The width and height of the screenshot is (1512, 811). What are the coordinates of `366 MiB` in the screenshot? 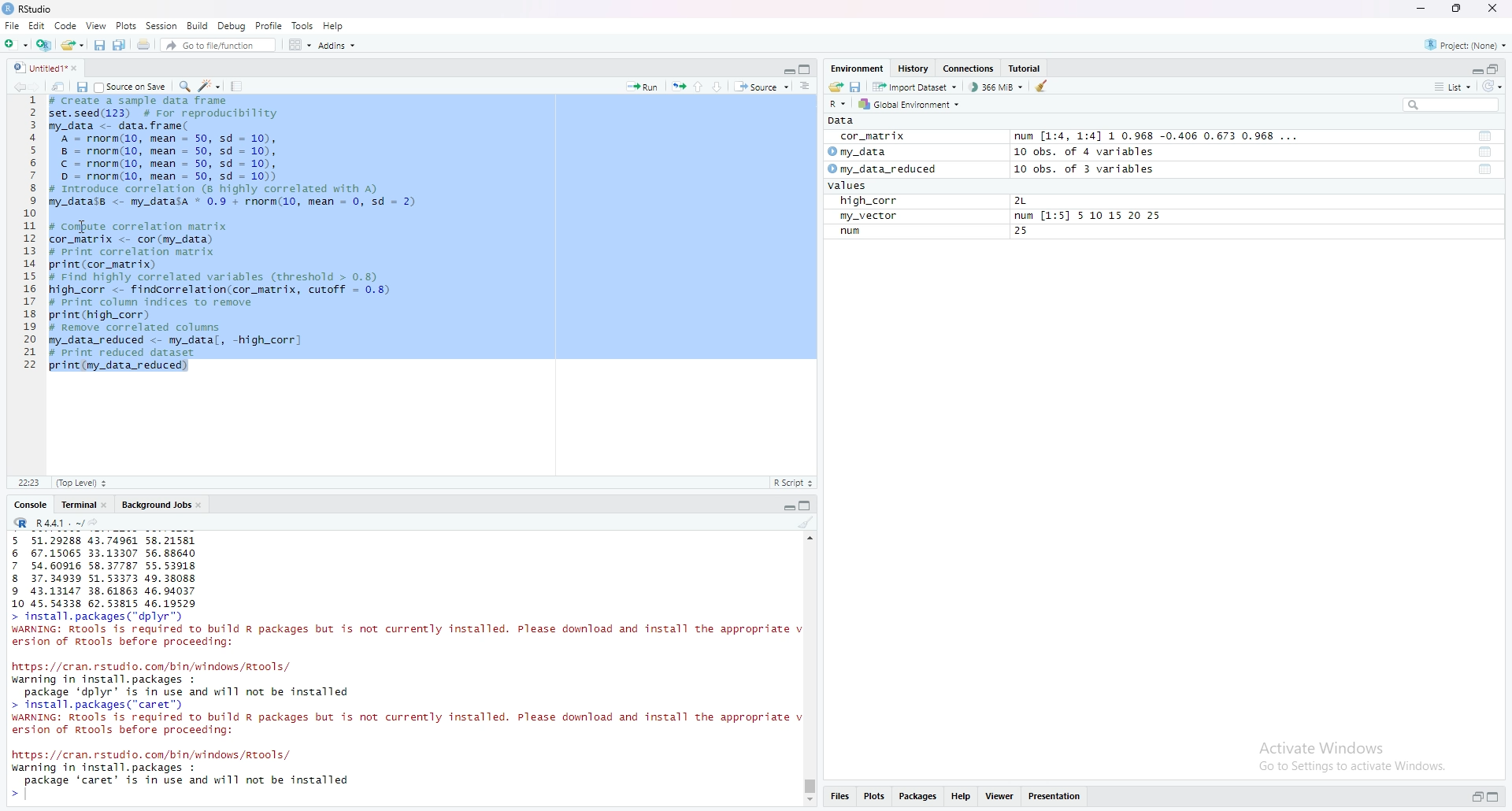 It's located at (996, 87).